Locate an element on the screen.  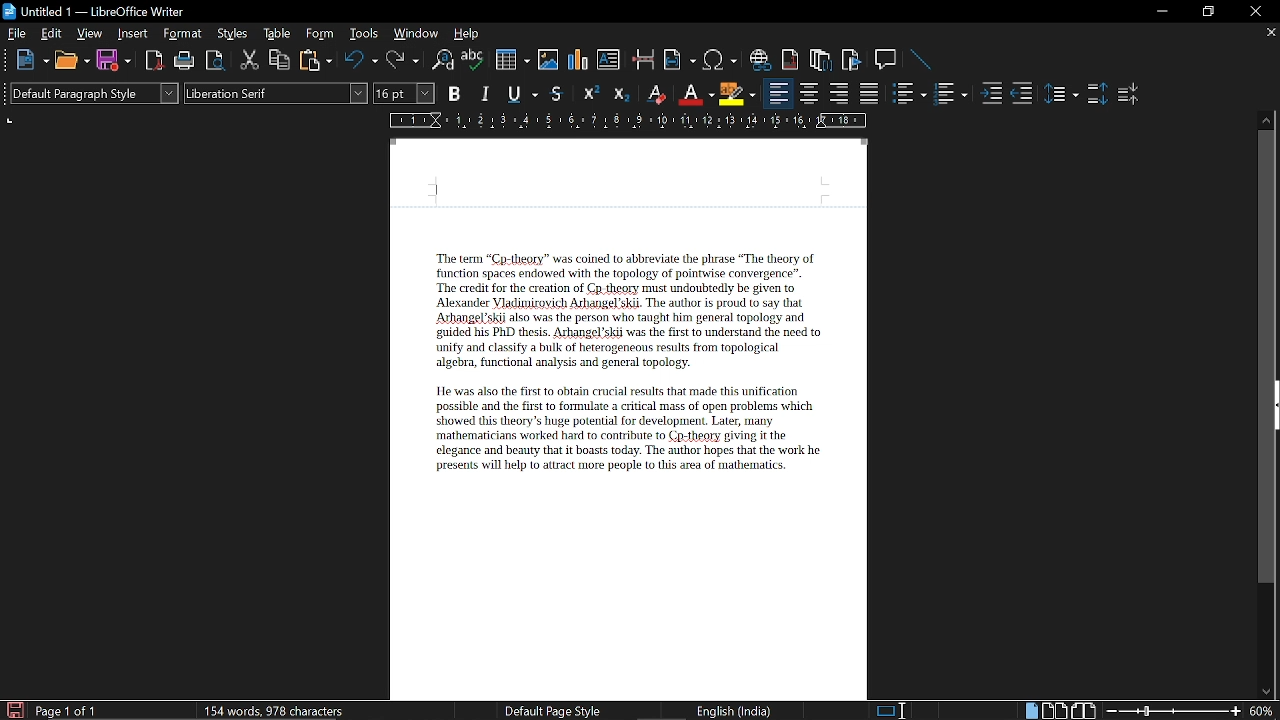
Save is located at coordinates (115, 62).